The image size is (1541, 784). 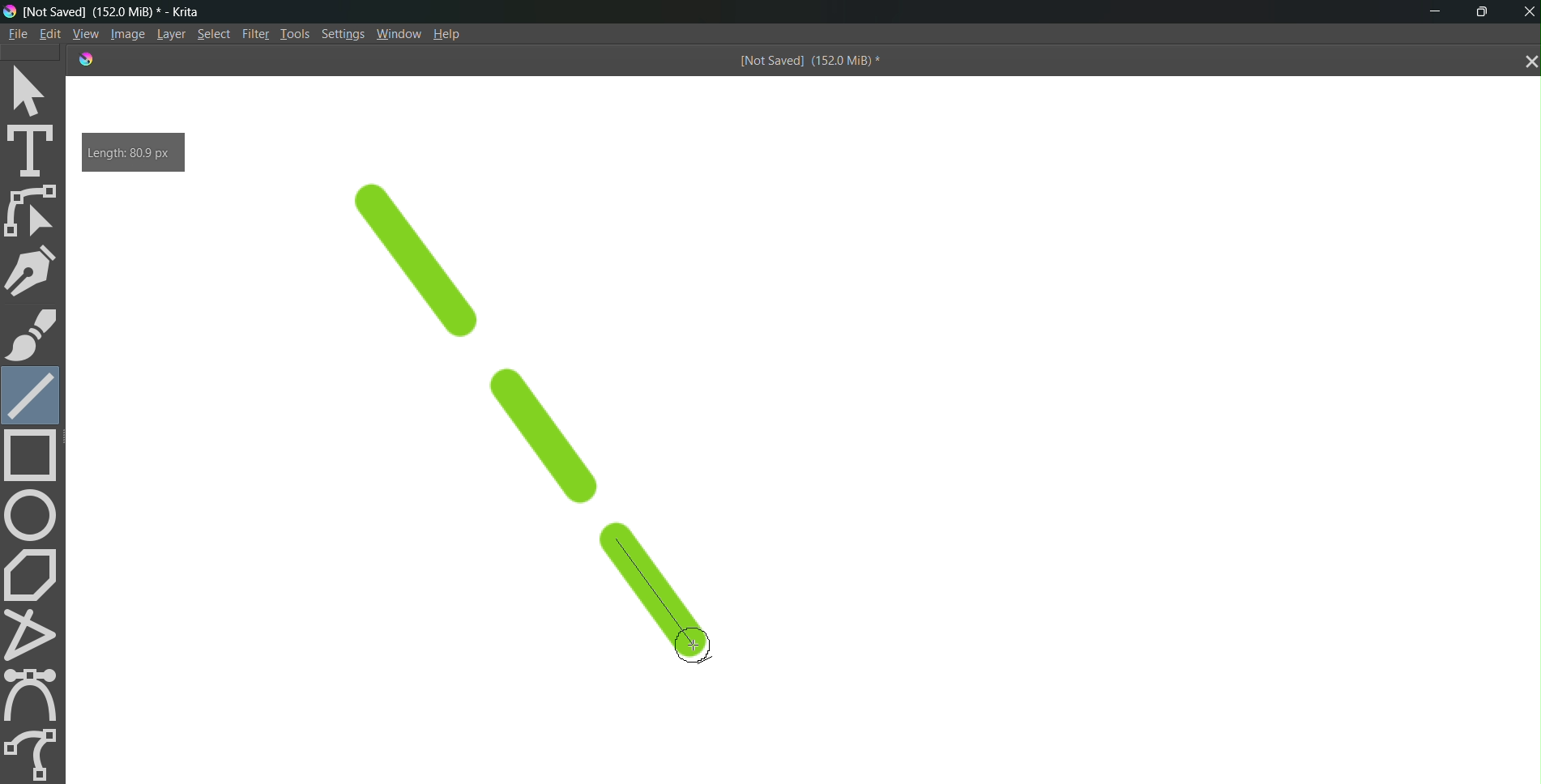 What do you see at coordinates (454, 34) in the screenshot?
I see `Help` at bounding box center [454, 34].